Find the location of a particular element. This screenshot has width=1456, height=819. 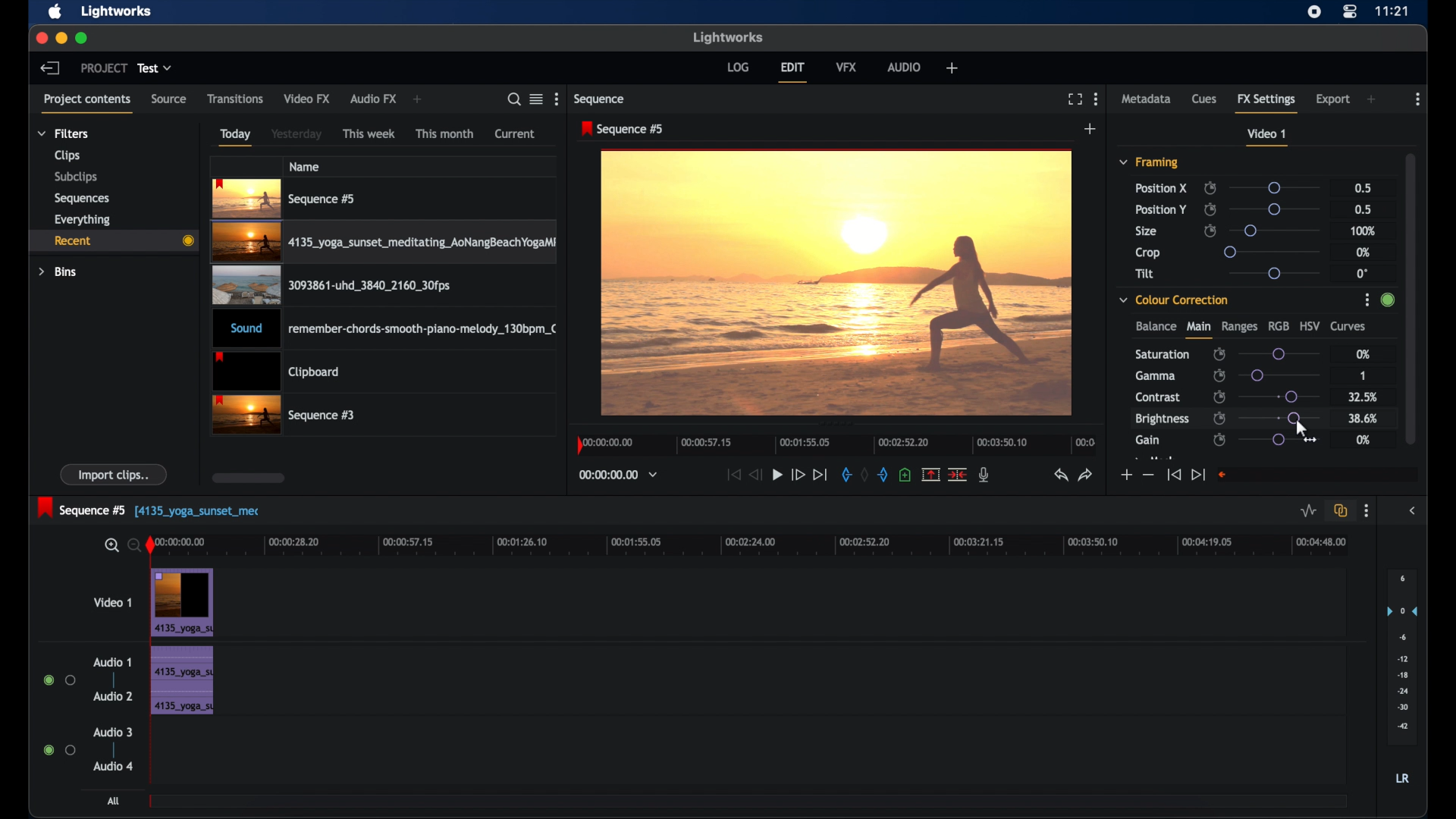

filters dropdown is located at coordinates (67, 134).